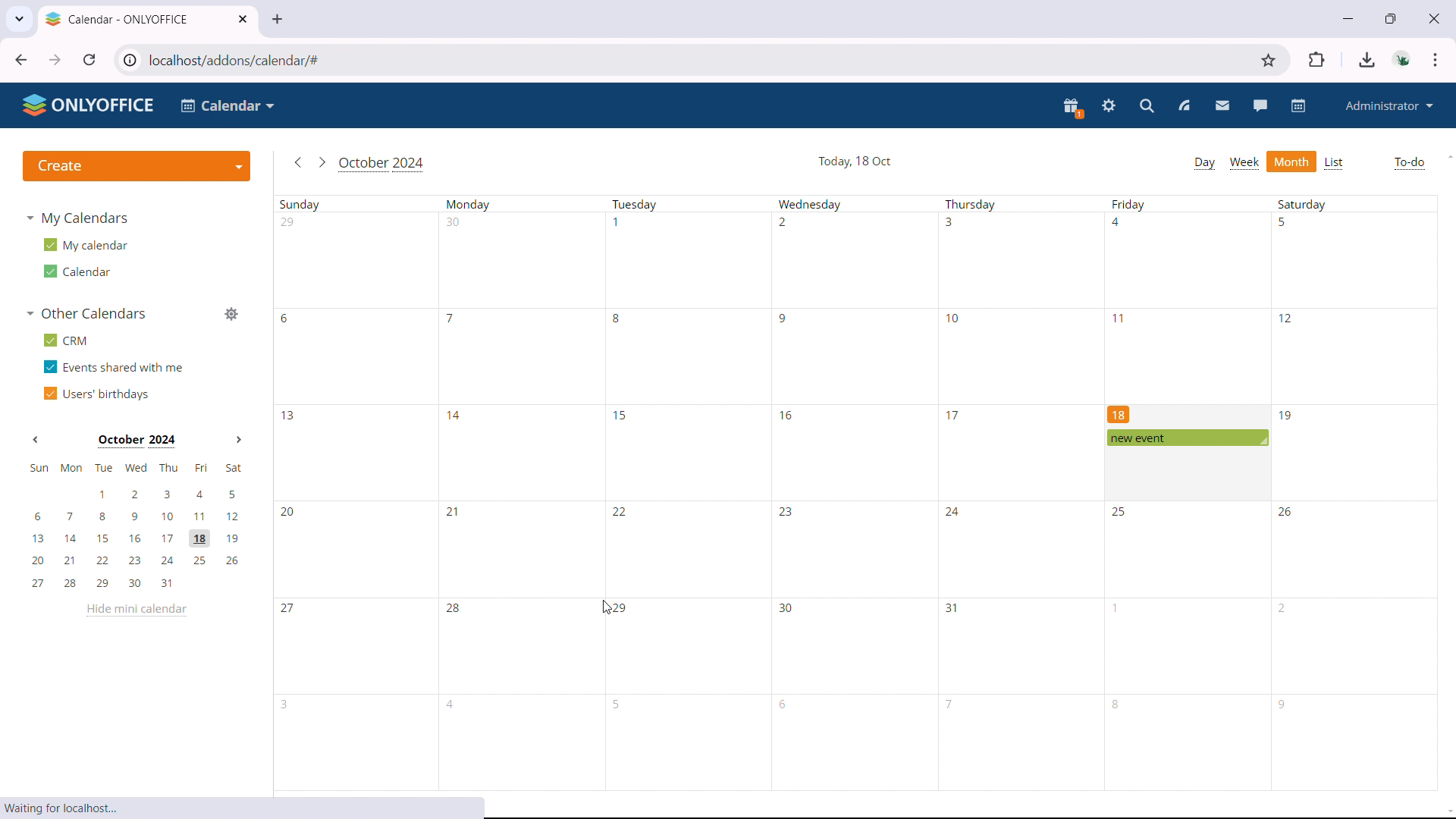 The width and height of the screenshot is (1456, 819). What do you see at coordinates (1109, 107) in the screenshot?
I see `settings` at bounding box center [1109, 107].